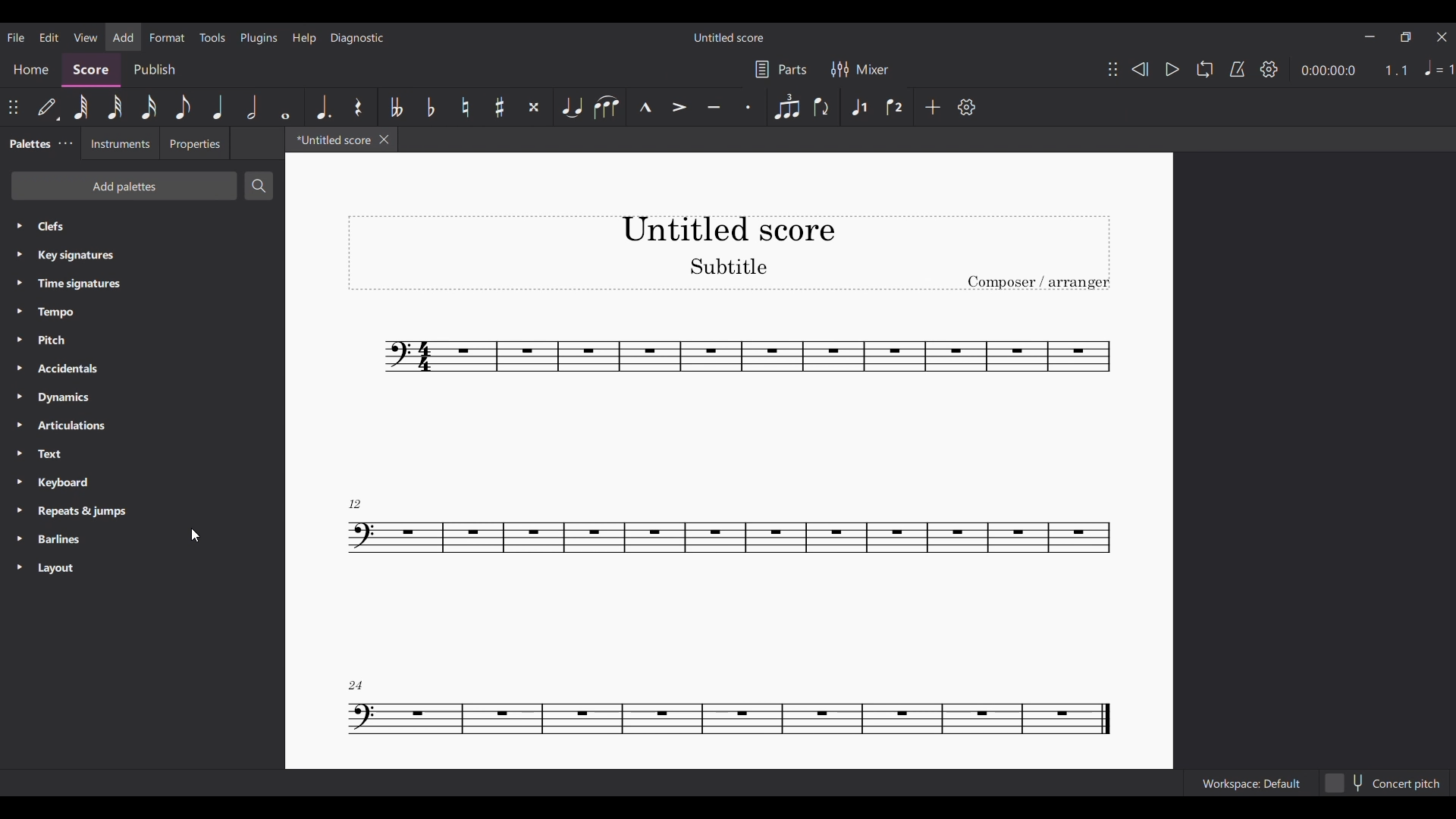 This screenshot has width=1456, height=819. Describe the element at coordinates (532, 107) in the screenshot. I see `Tupplet` at that location.